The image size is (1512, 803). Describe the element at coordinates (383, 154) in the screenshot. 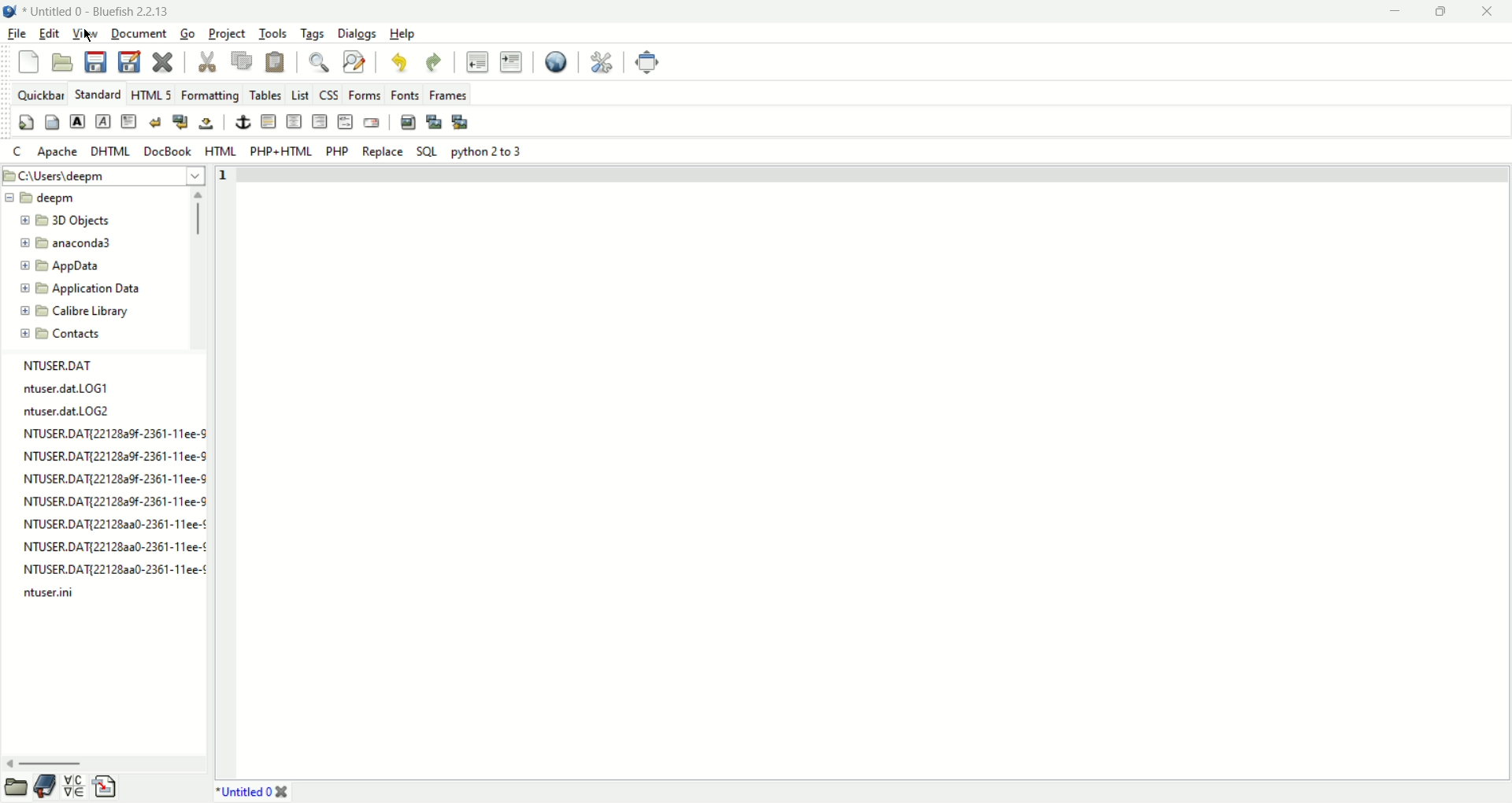

I see `Replace` at that location.